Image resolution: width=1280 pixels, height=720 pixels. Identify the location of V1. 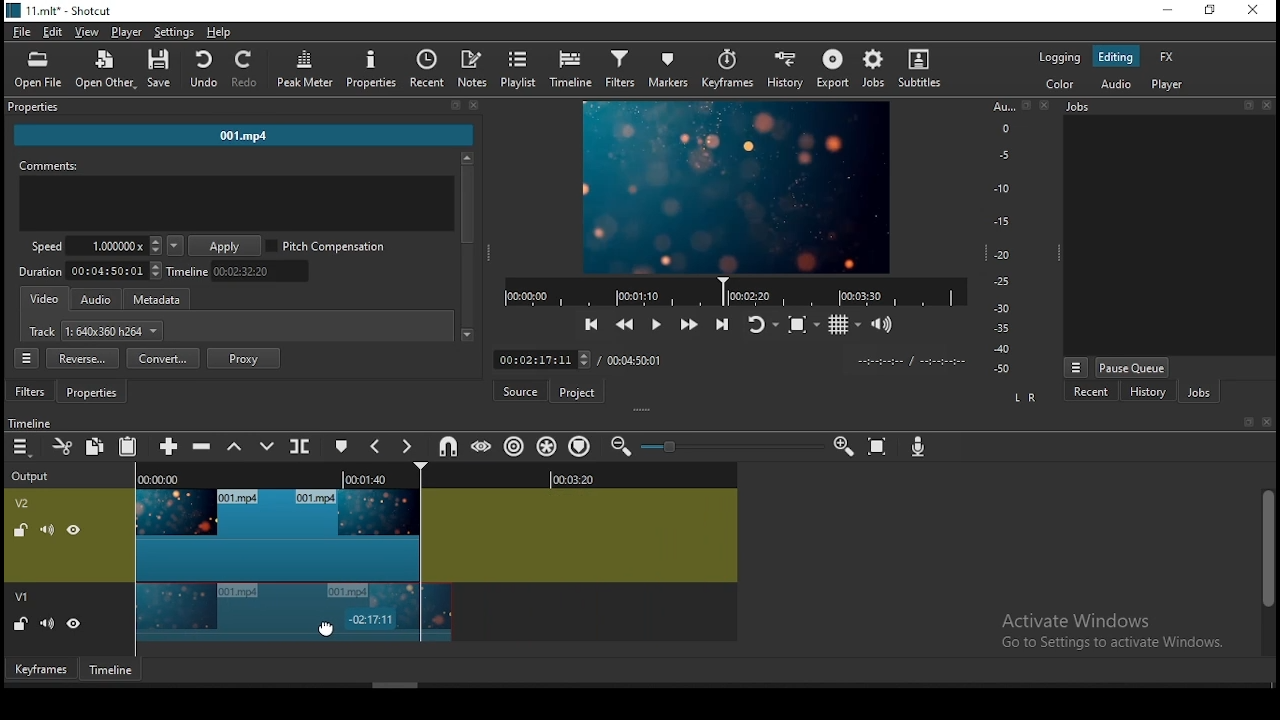
(24, 598).